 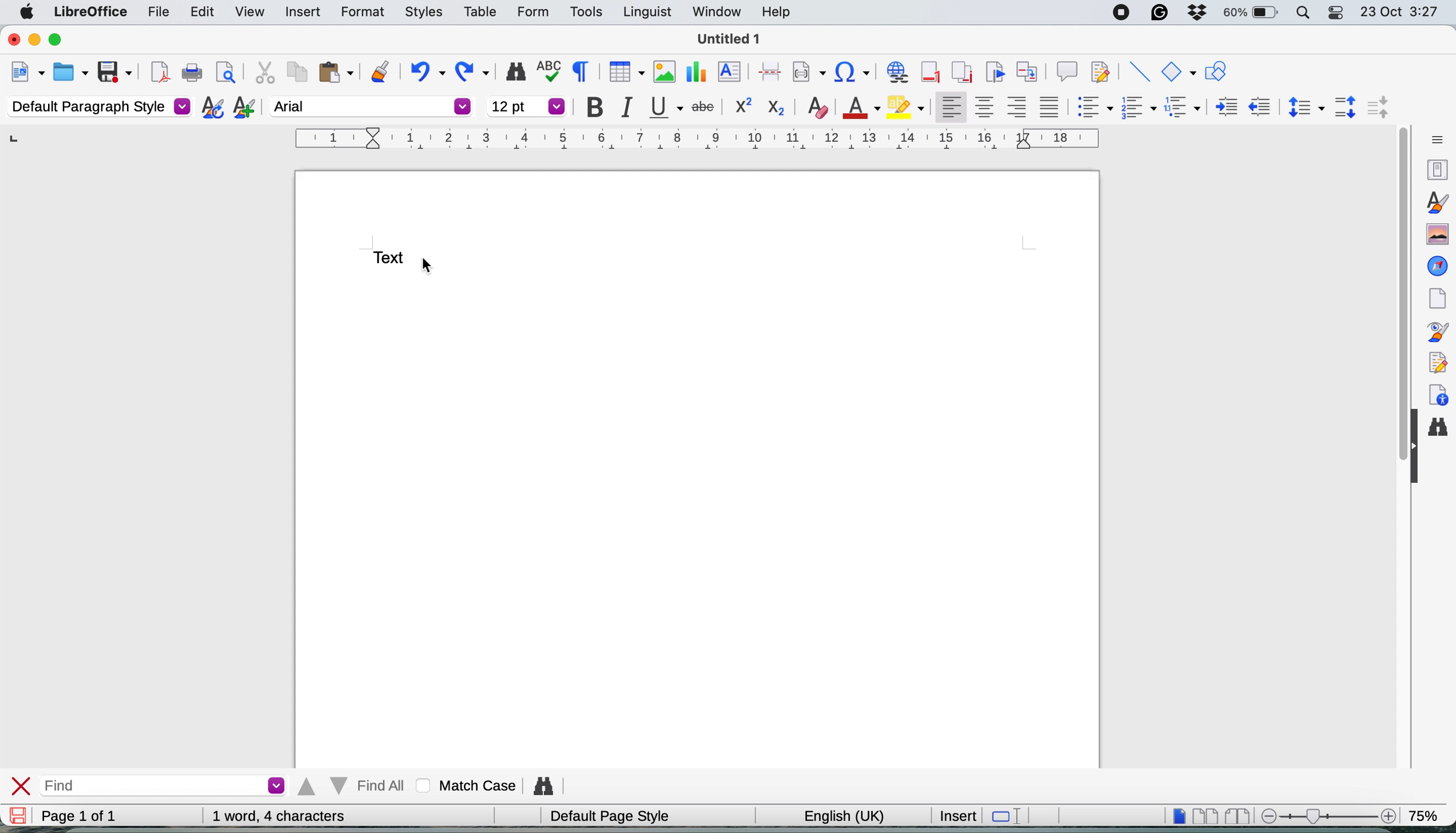 What do you see at coordinates (1173, 815) in the screenshot?
I see `single page view` at bounding box center [1173, 815].